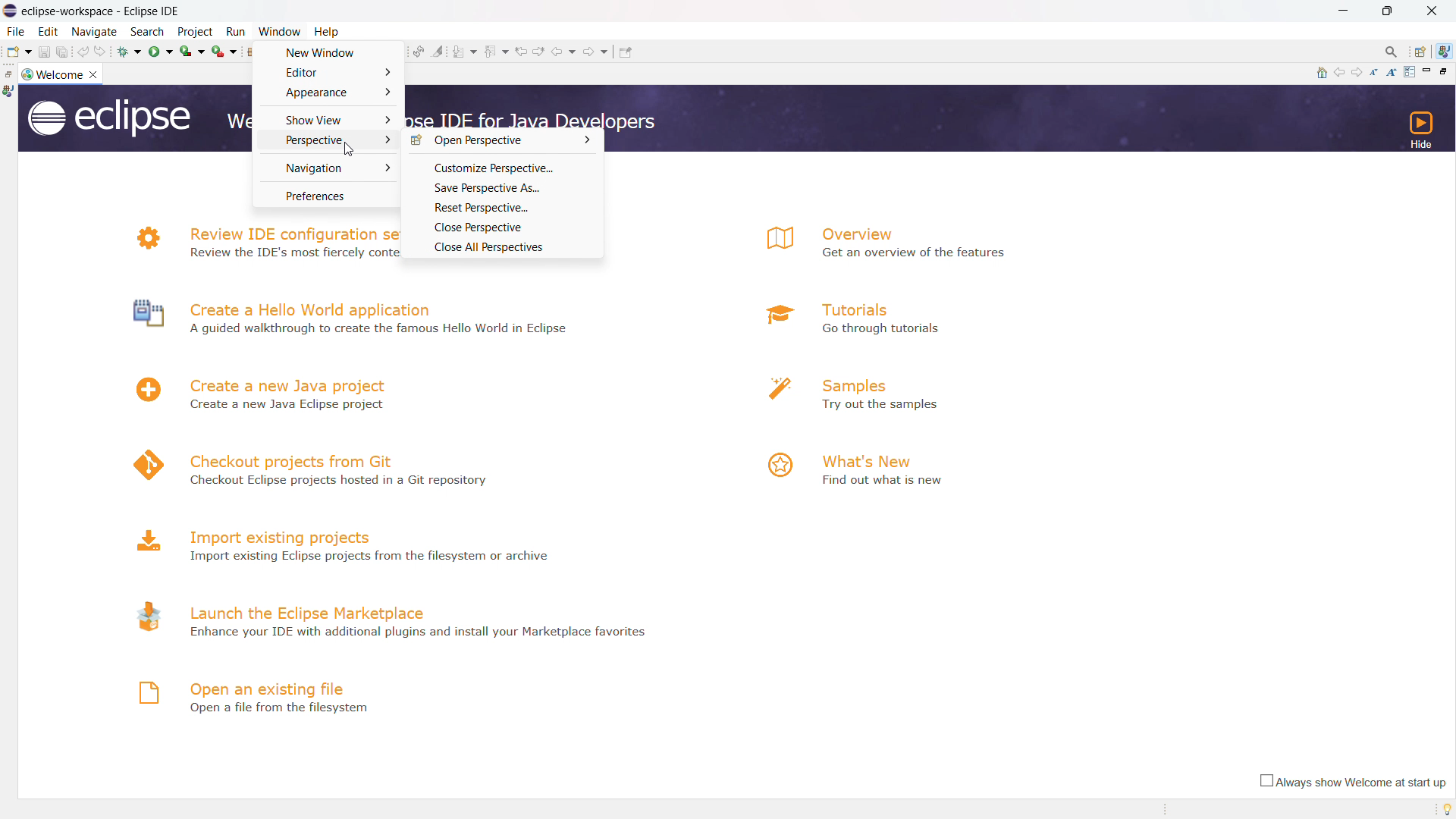 The image size is (1456, 819). I want to click on customize perspective, so click(500, 168).